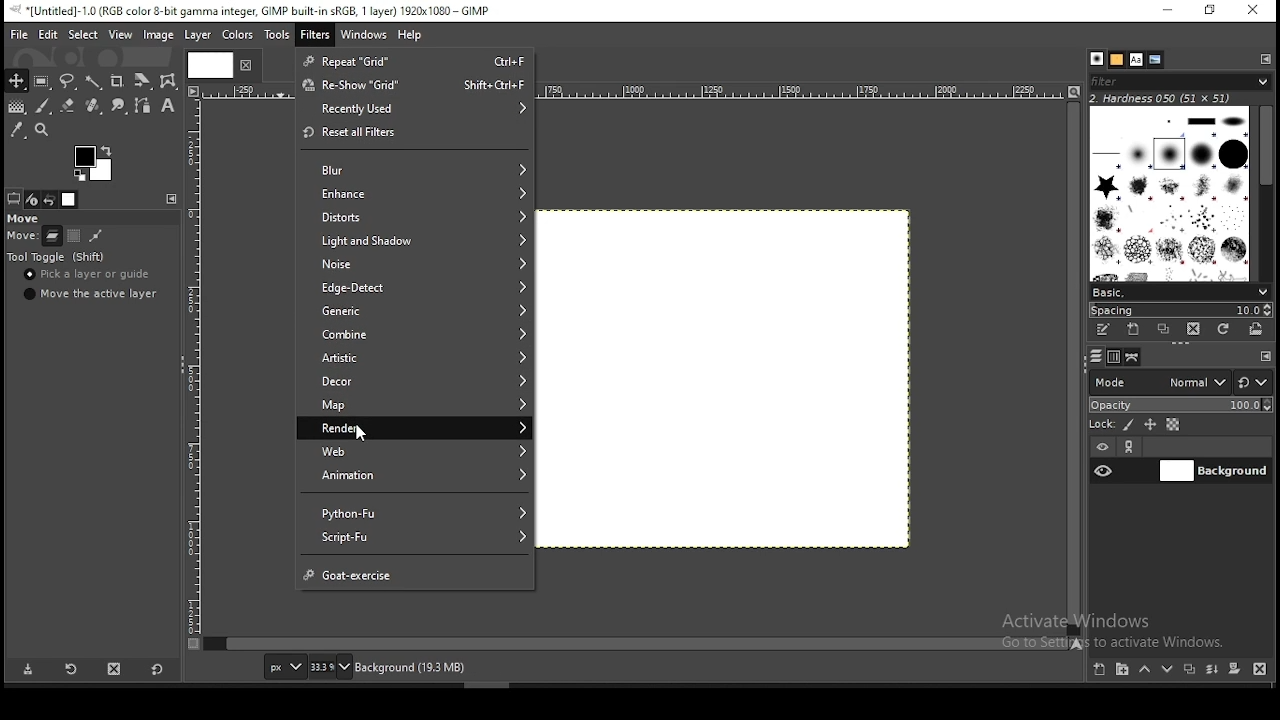 Image resolution: width=1280 pixels, height=720 pixels. I want to click on move layer on step up, so click(1148, 670).